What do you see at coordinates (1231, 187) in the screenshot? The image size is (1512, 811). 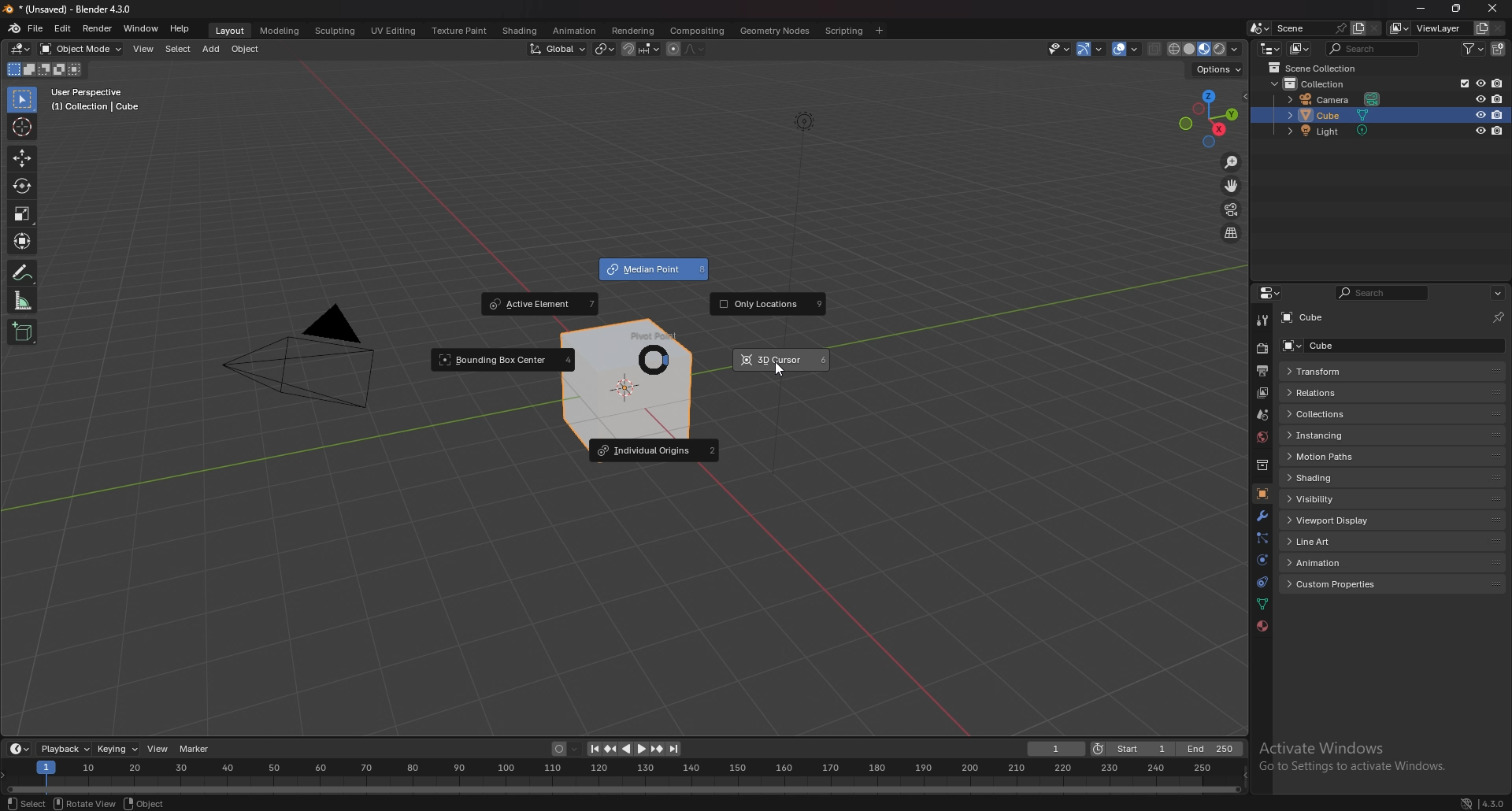 I see `move` at bounding box center [1231, 187].